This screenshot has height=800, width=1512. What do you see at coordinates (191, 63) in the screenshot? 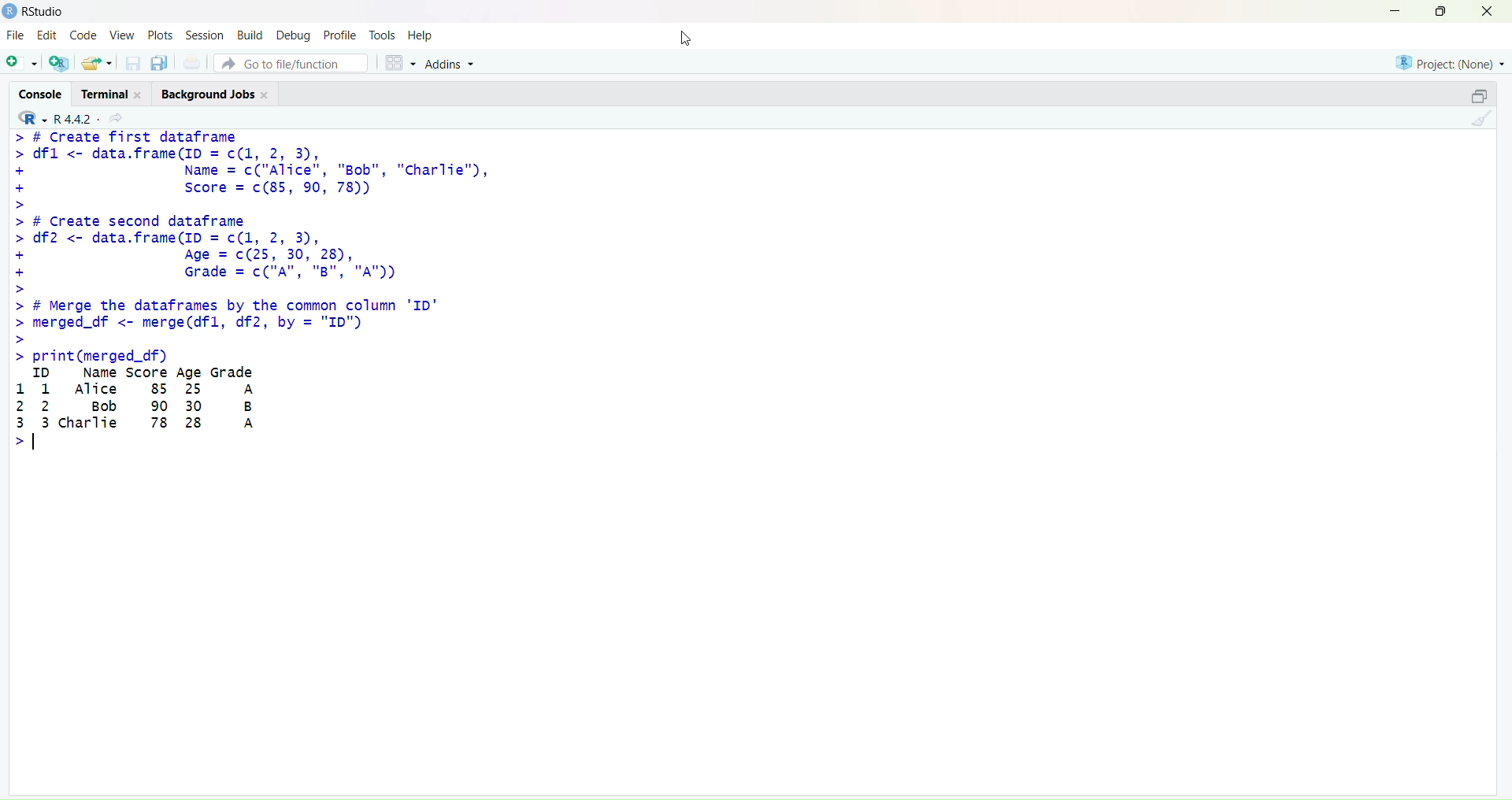
I see `print` at bounding box center [191, 63].